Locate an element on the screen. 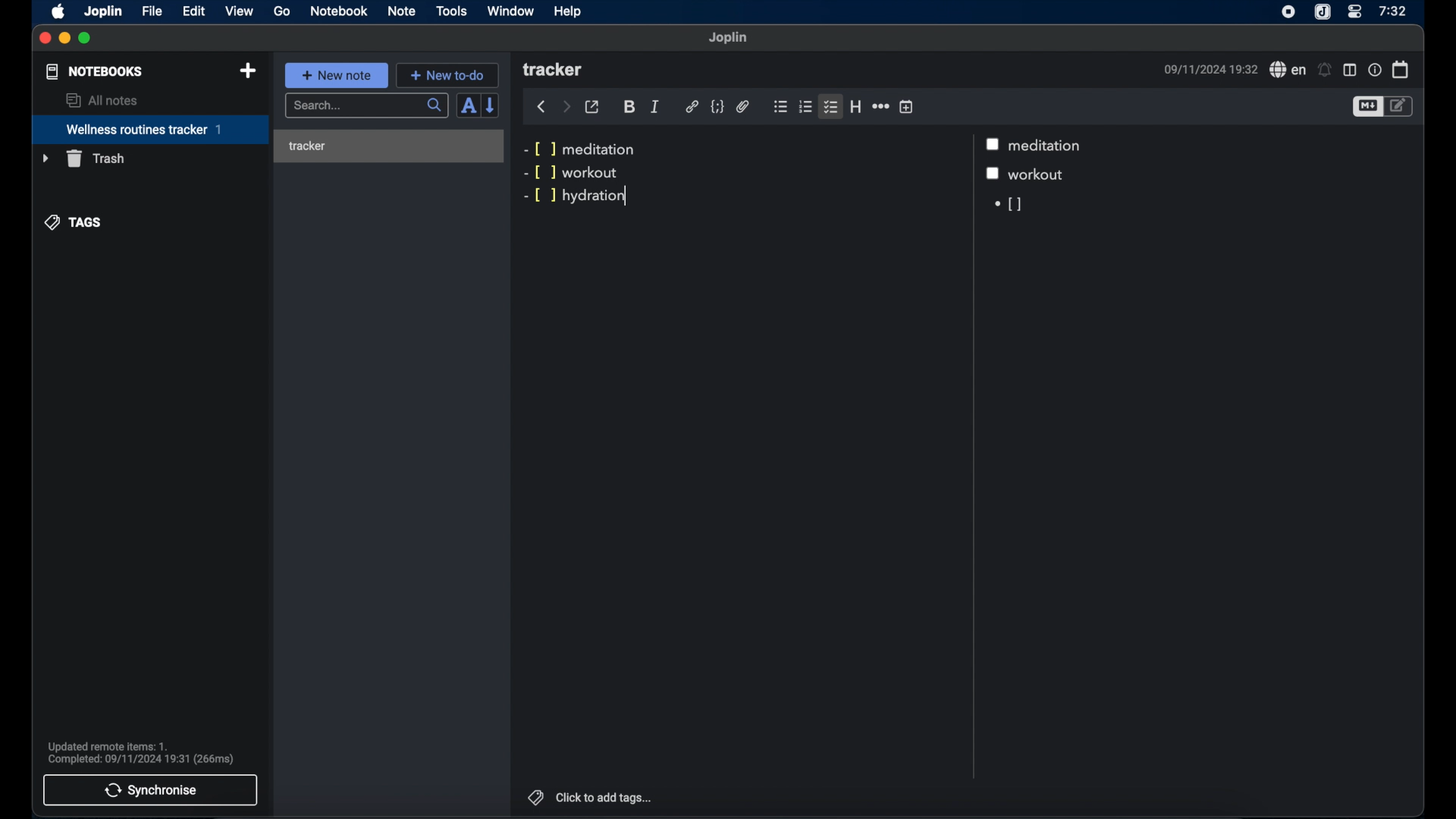 This screenshot has width=1456, height=819. toggle external editor is located at coordinates (592, 106).